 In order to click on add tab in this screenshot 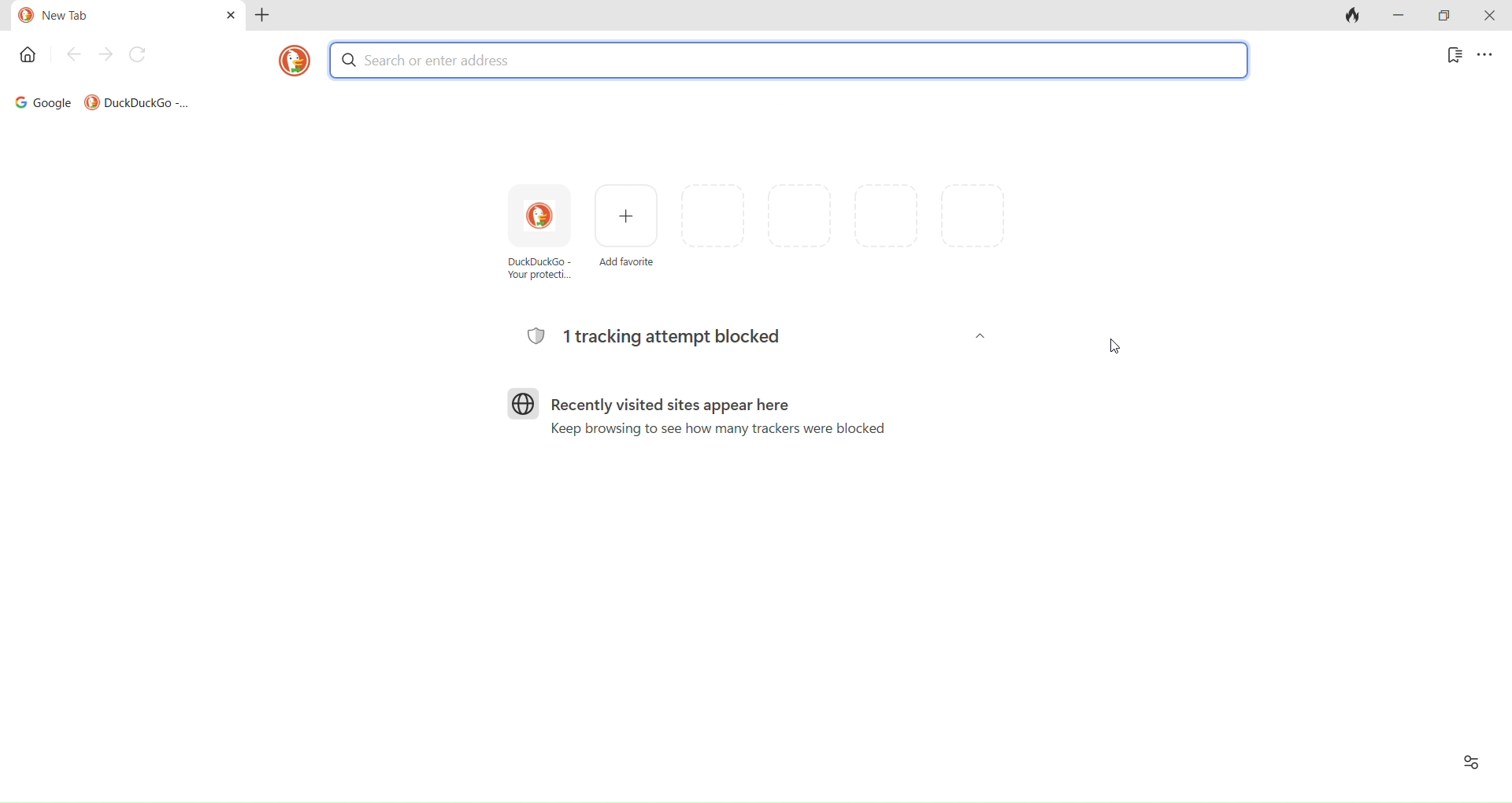, I will do `click(269, 20)`.